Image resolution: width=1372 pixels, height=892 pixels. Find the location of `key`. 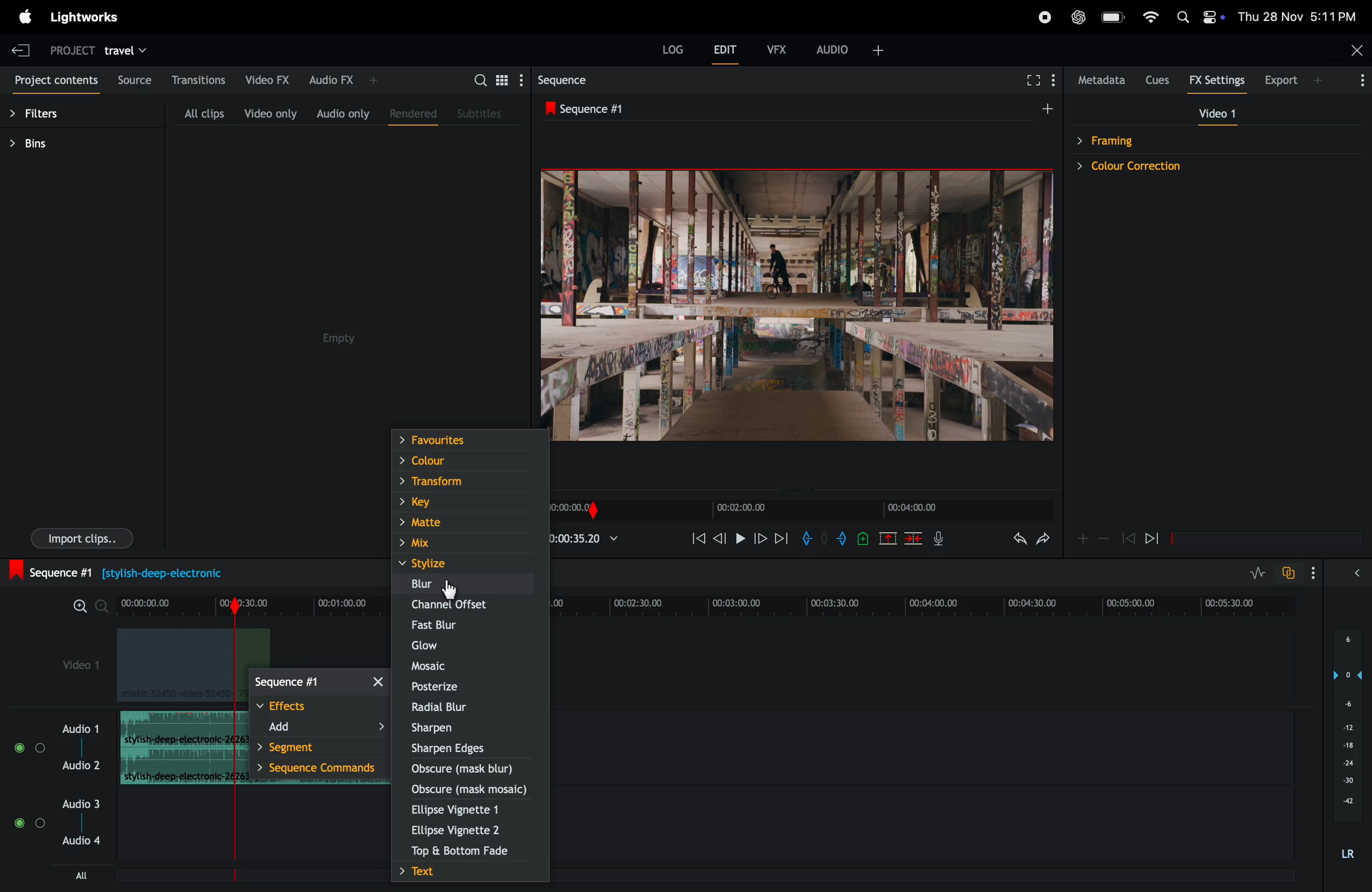

key is located at coordinates (464, 502).